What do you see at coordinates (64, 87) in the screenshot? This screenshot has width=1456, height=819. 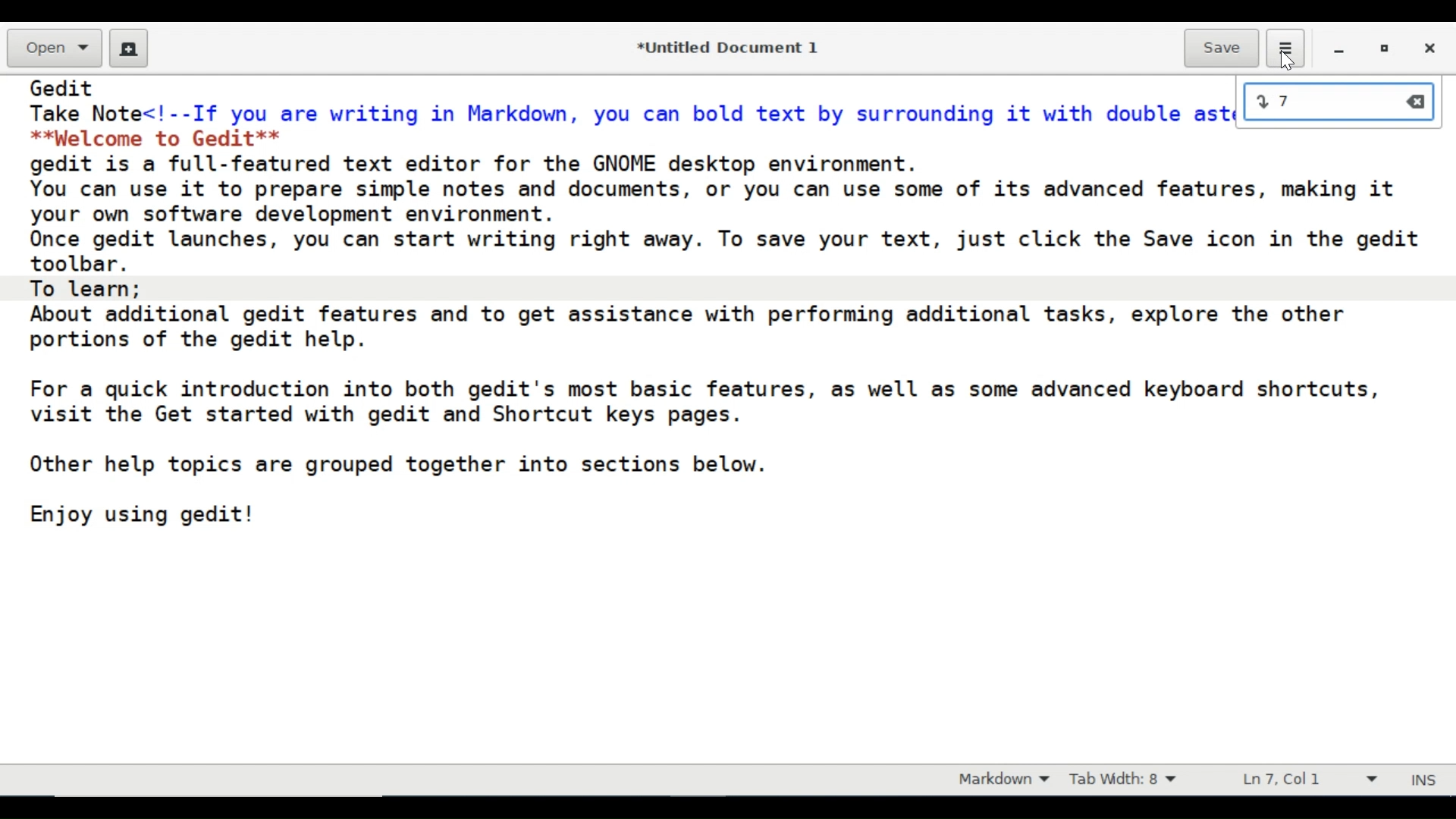 I see `Gedit` at bounding box center [64, 87].